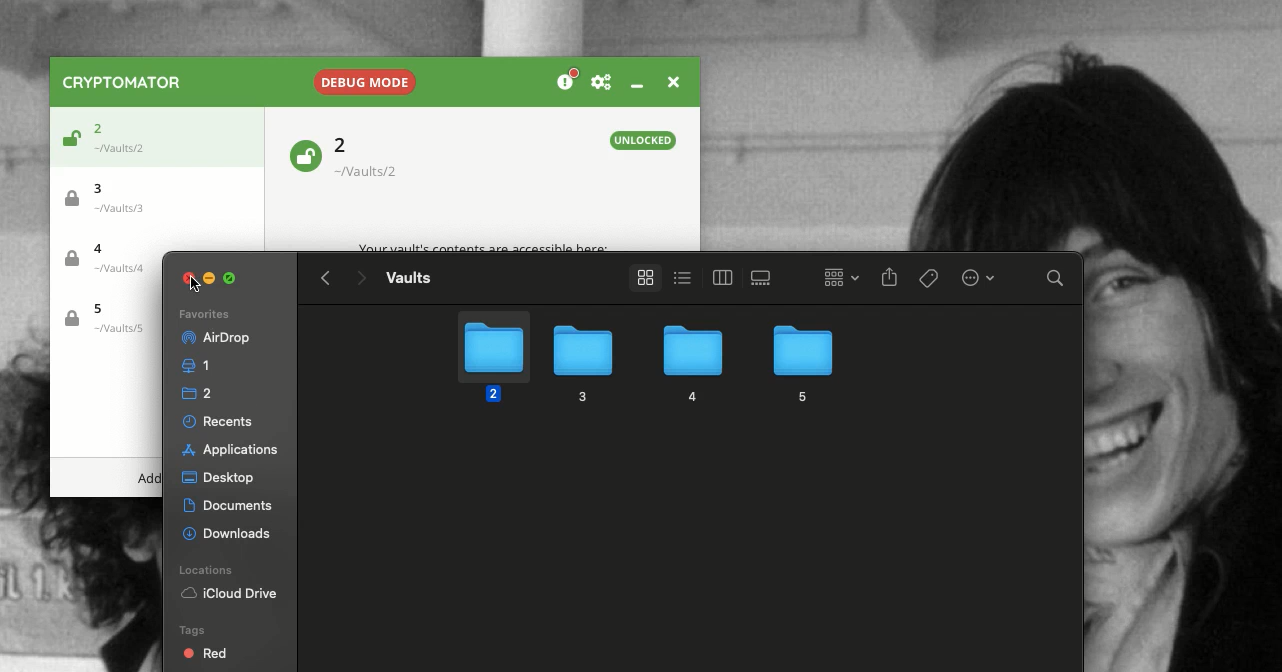 The height and width of the screenshot is (672, 1282). What do you see at coordinates (636, 85) in the screenshot?
I see `Minimize` at bounding box center [636, 85].